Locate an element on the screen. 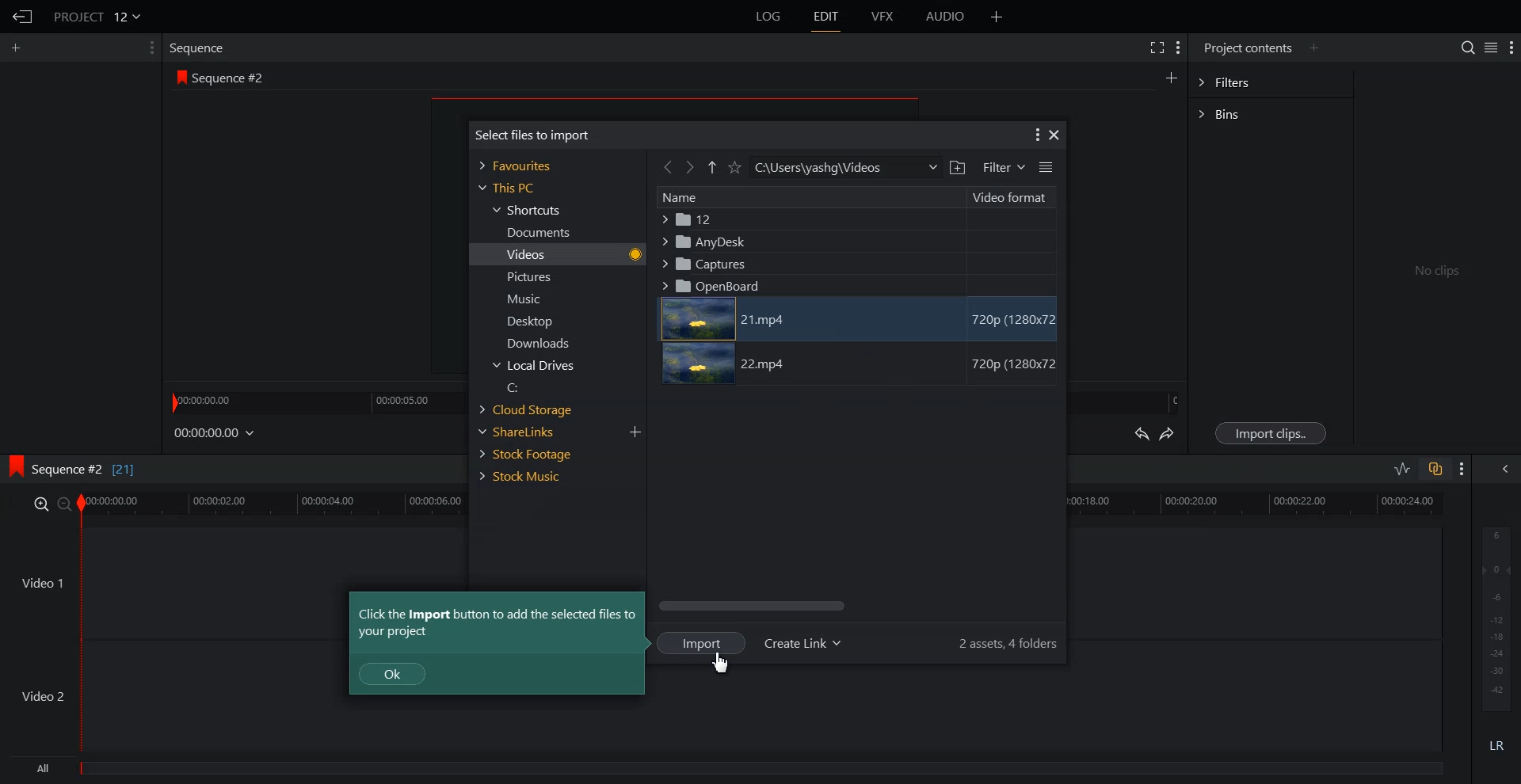 This screenshot has height=784, width=1521. Go Back is located at coordinates (667, 167).